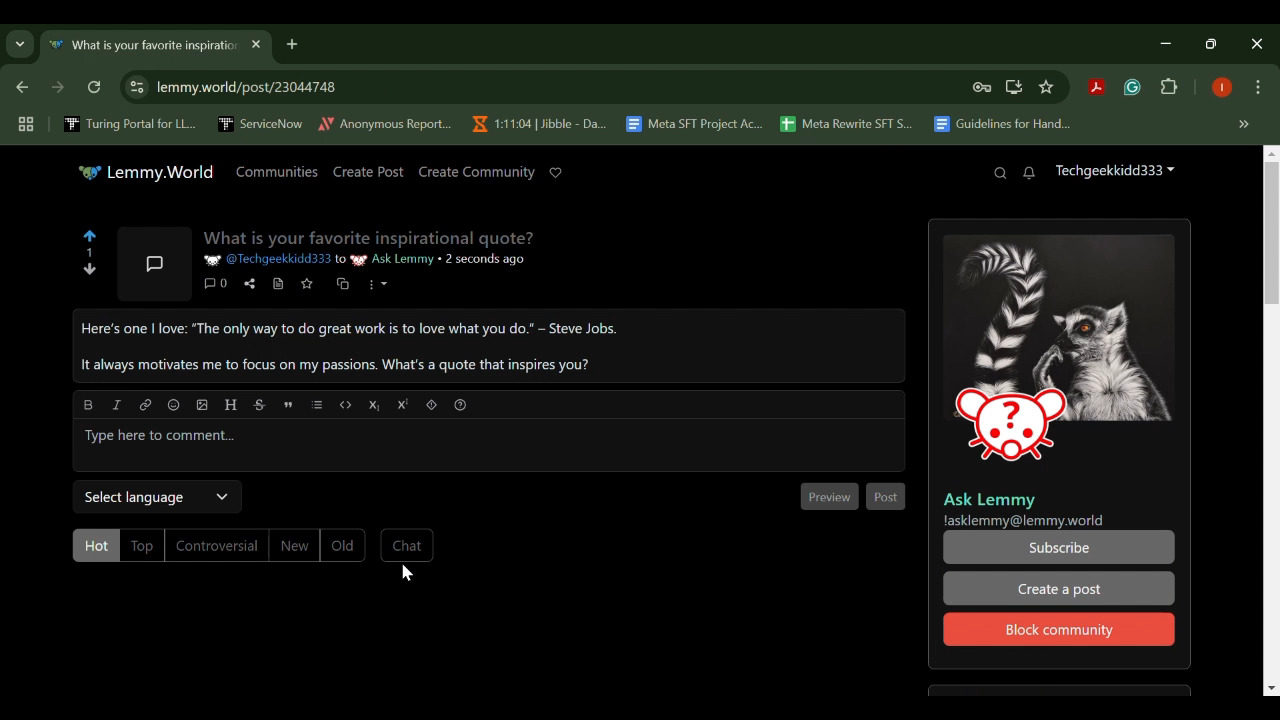 The width and height of the screenshot is (1280, 720). Describe the element at coordinates (406, 573) in the screenshot. I see `Cursor Position AFTER_LAST_ACTION` at that location.